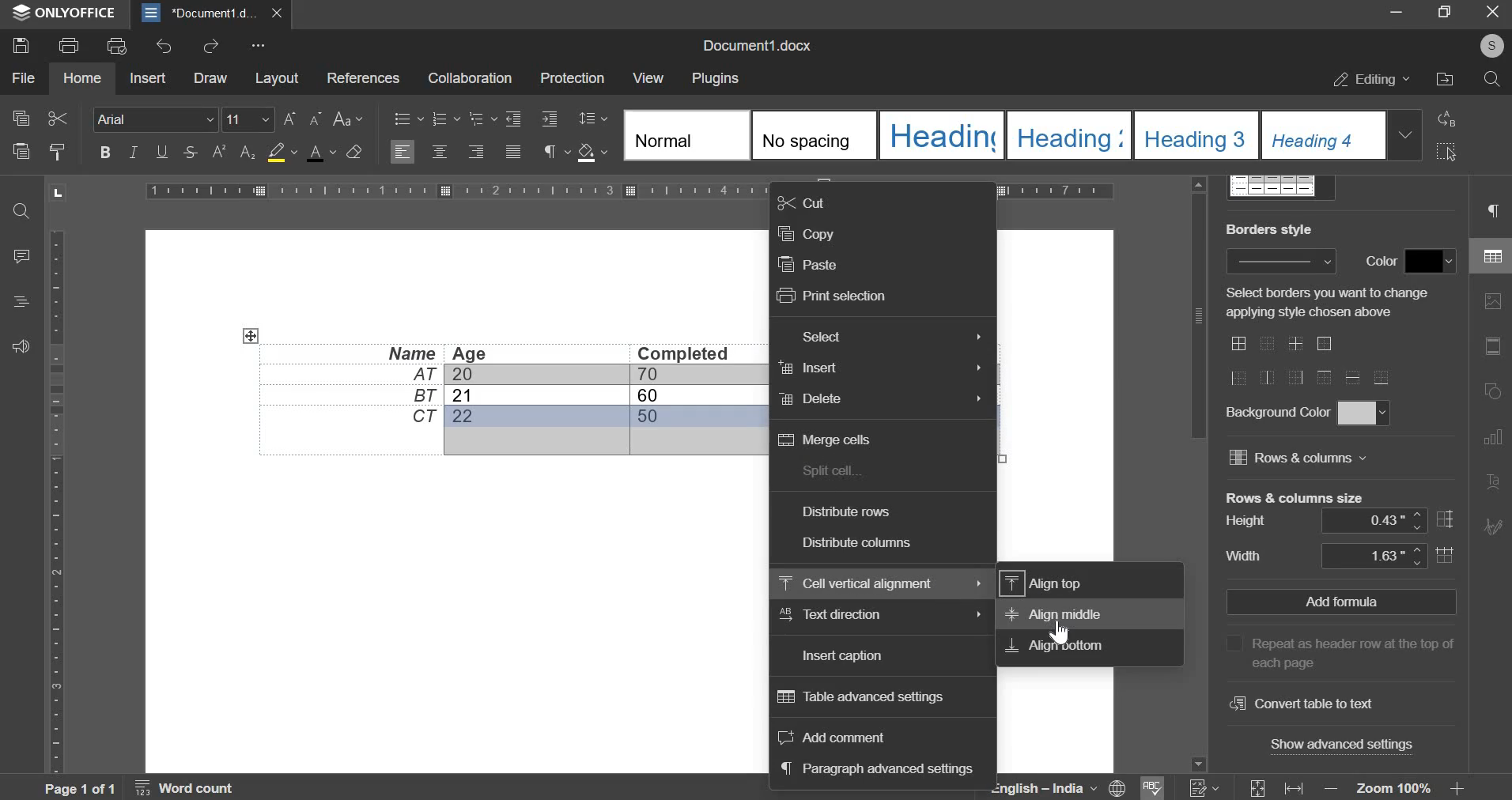 The image size is (1512, 800). I want to click on align center, so click(441, 151).